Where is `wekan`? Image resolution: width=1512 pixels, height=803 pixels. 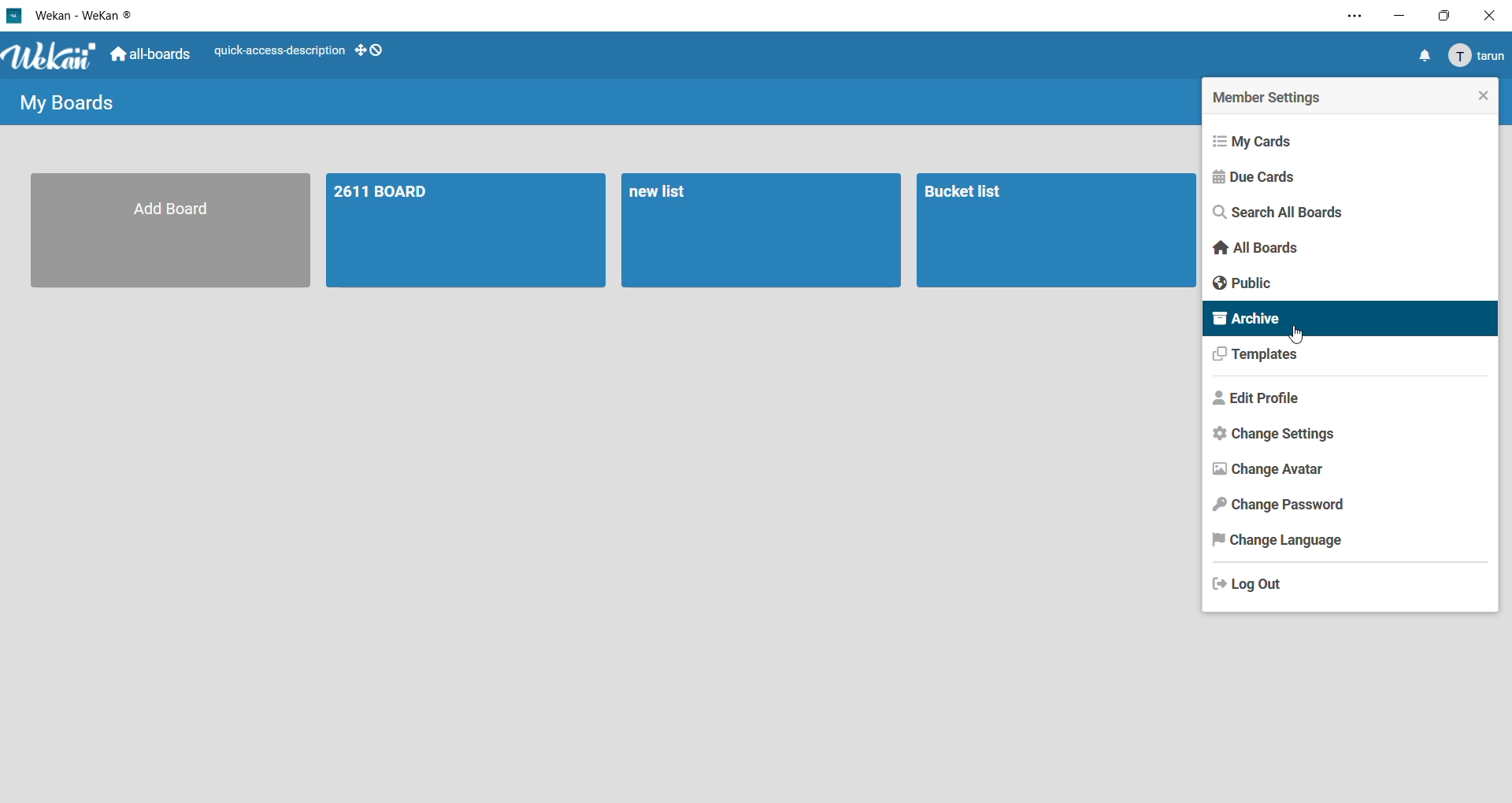 wekan is located at coordinates (51, 57).